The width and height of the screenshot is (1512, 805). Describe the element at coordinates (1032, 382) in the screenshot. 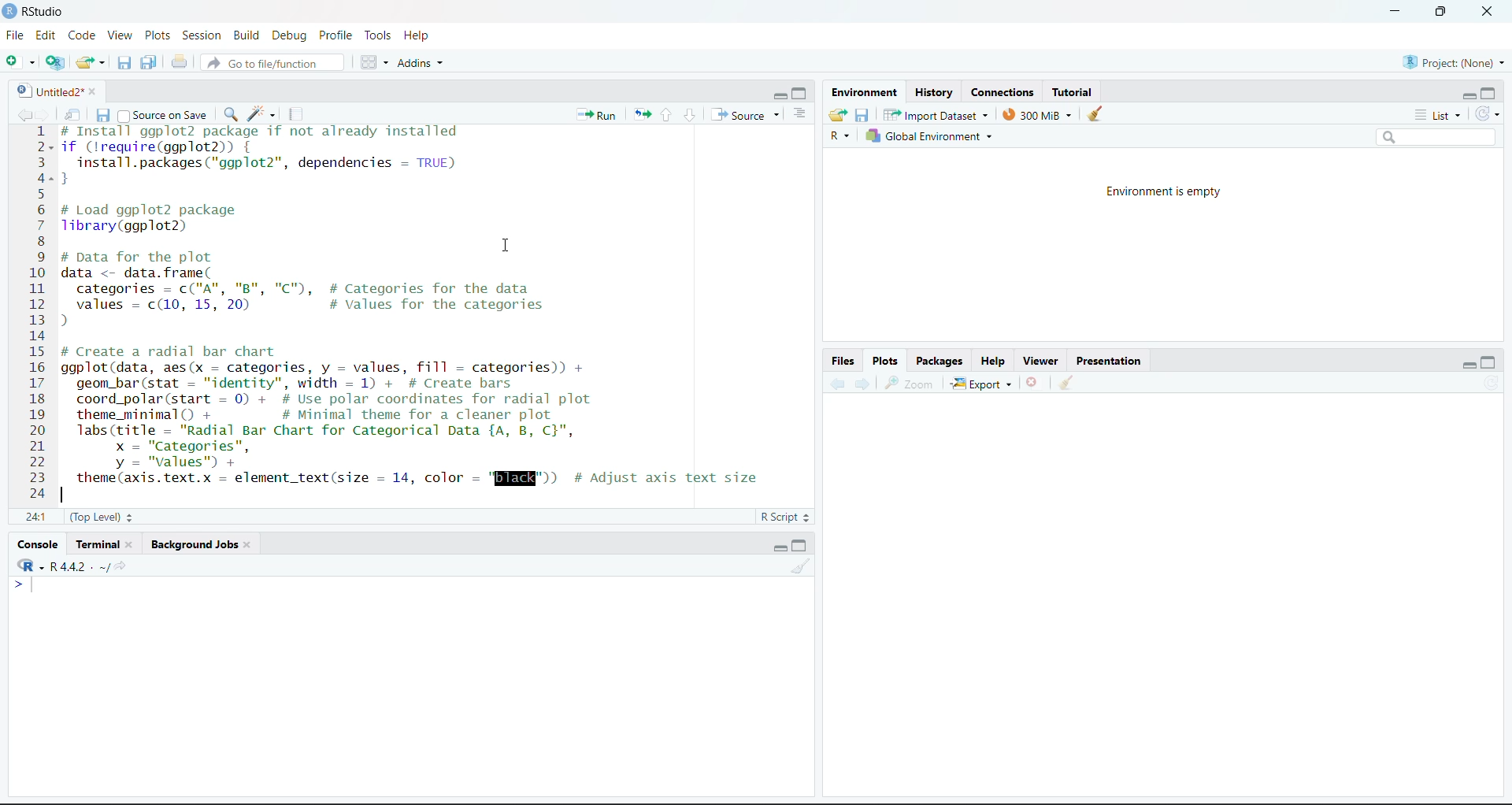

I see `clear current plots` at that location.